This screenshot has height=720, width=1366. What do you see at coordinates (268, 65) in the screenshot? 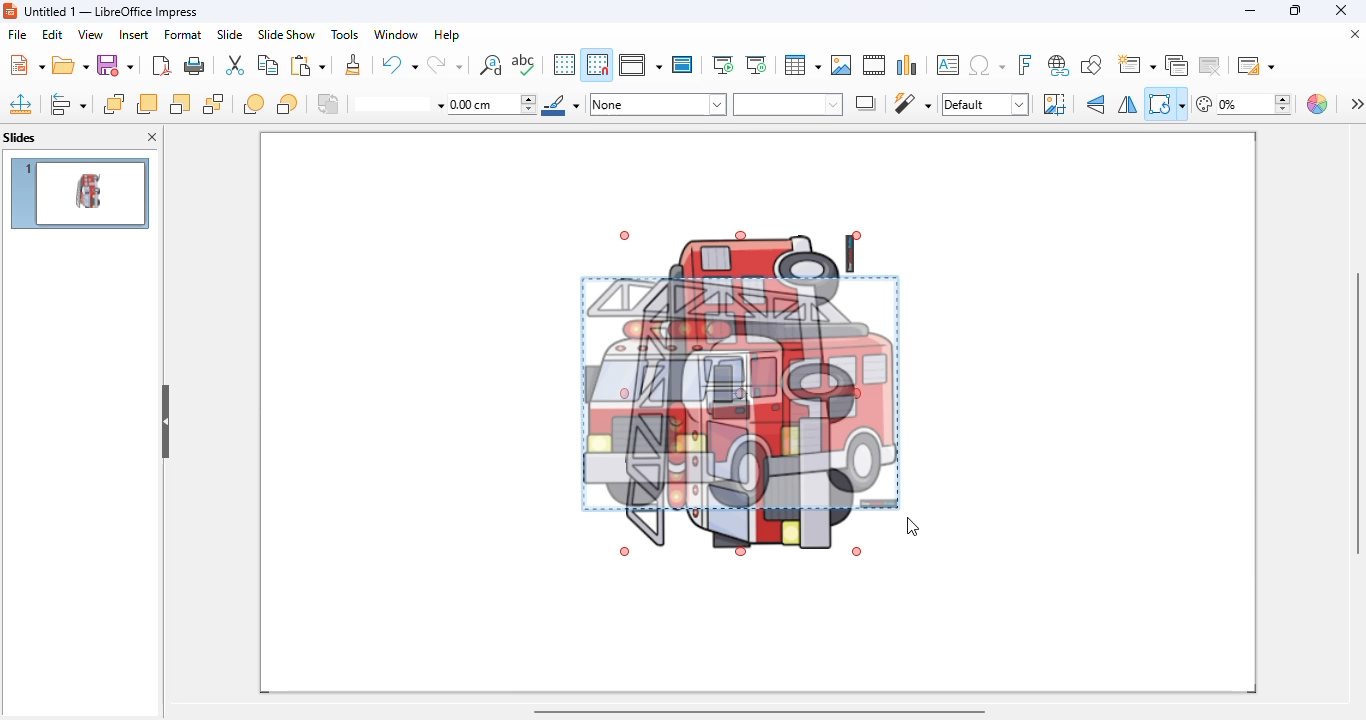
I see `copy` at bounding box center [268, 65].